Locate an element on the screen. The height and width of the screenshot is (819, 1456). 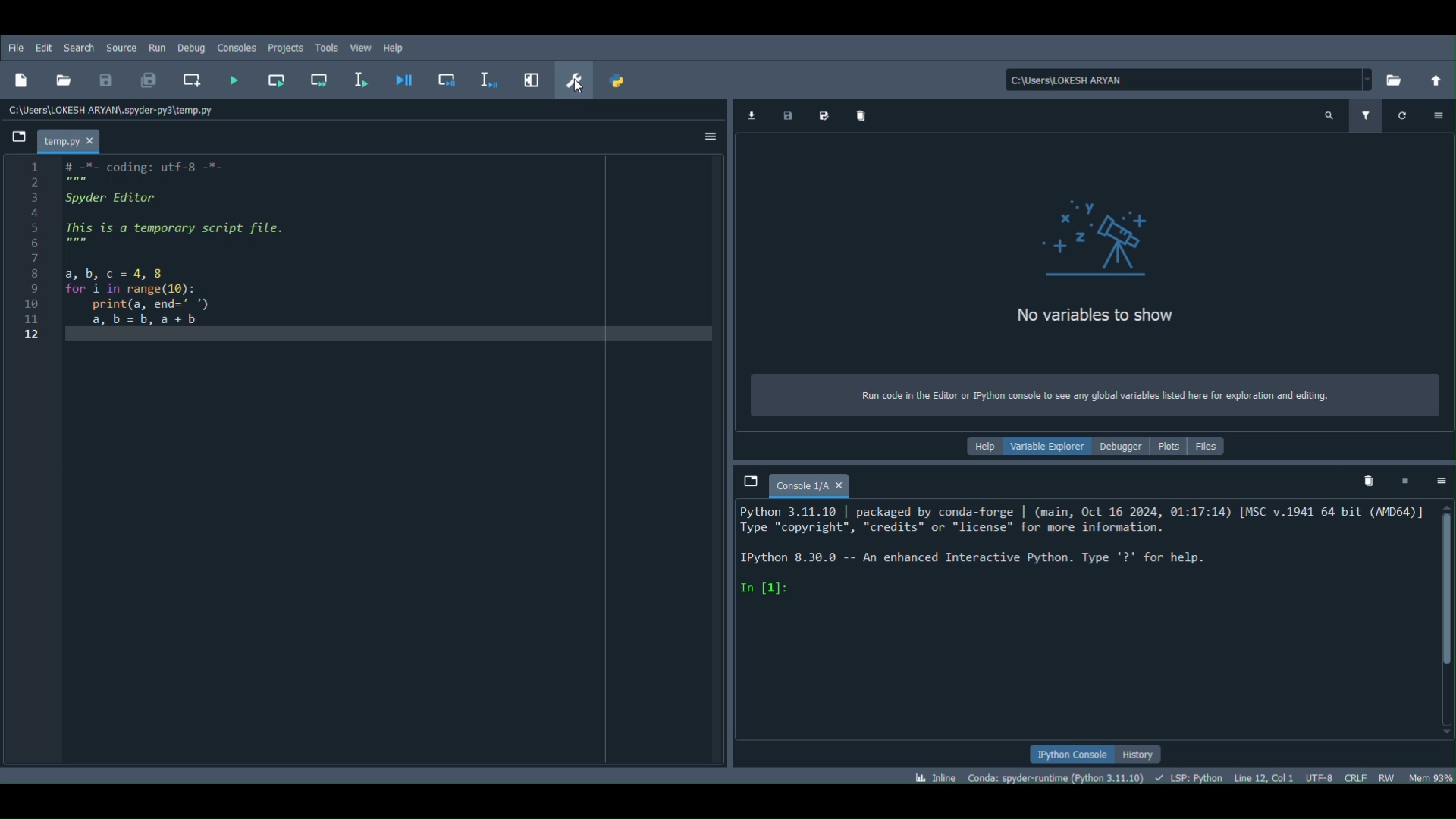
Remove all variables is located at coordinates (871, 116).